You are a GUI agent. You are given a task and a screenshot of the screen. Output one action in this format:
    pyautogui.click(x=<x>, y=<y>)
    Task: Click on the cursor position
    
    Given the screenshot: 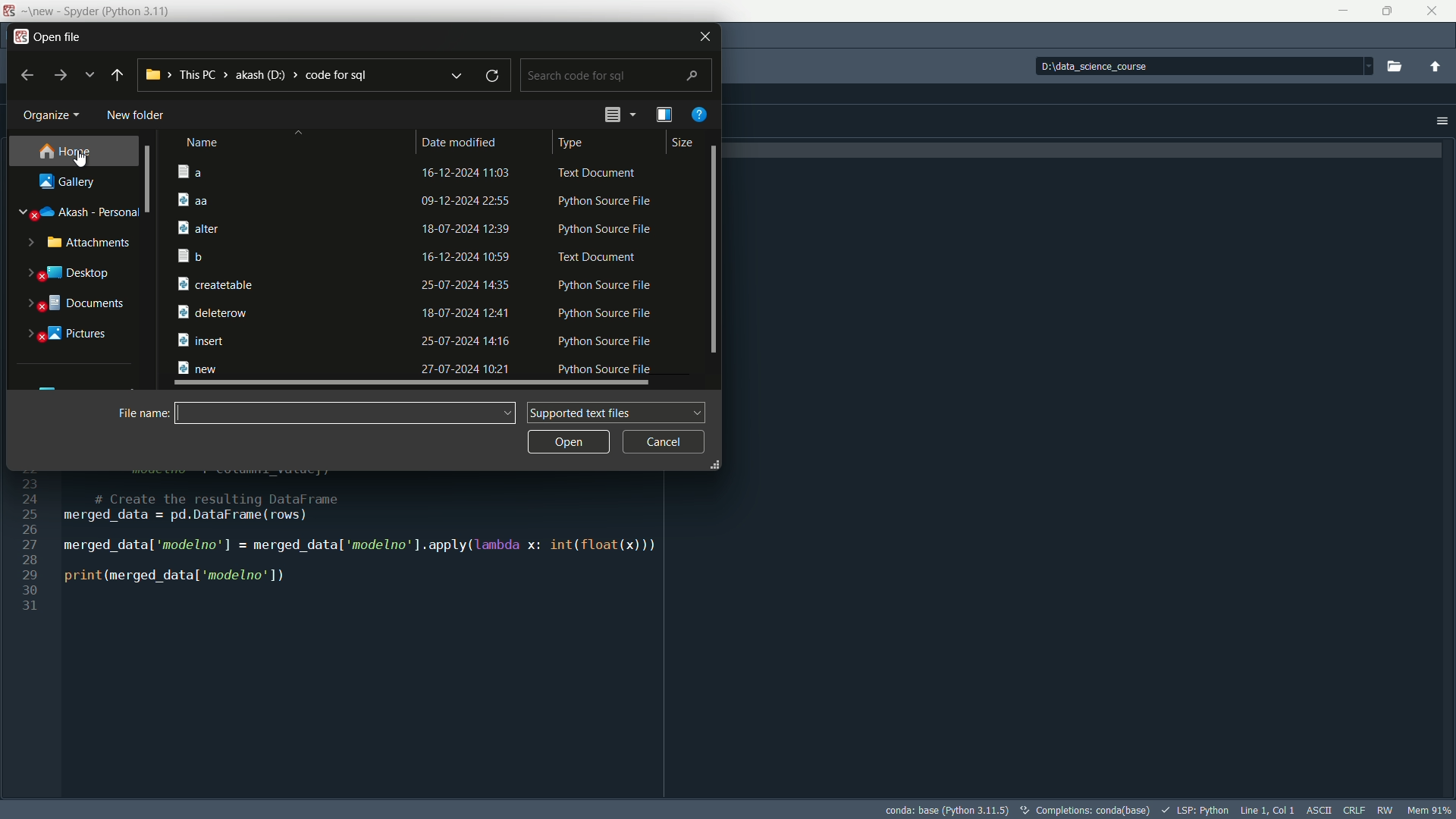 What is the action you would take?
    pyautogui.click(x=1268, y=809)
    